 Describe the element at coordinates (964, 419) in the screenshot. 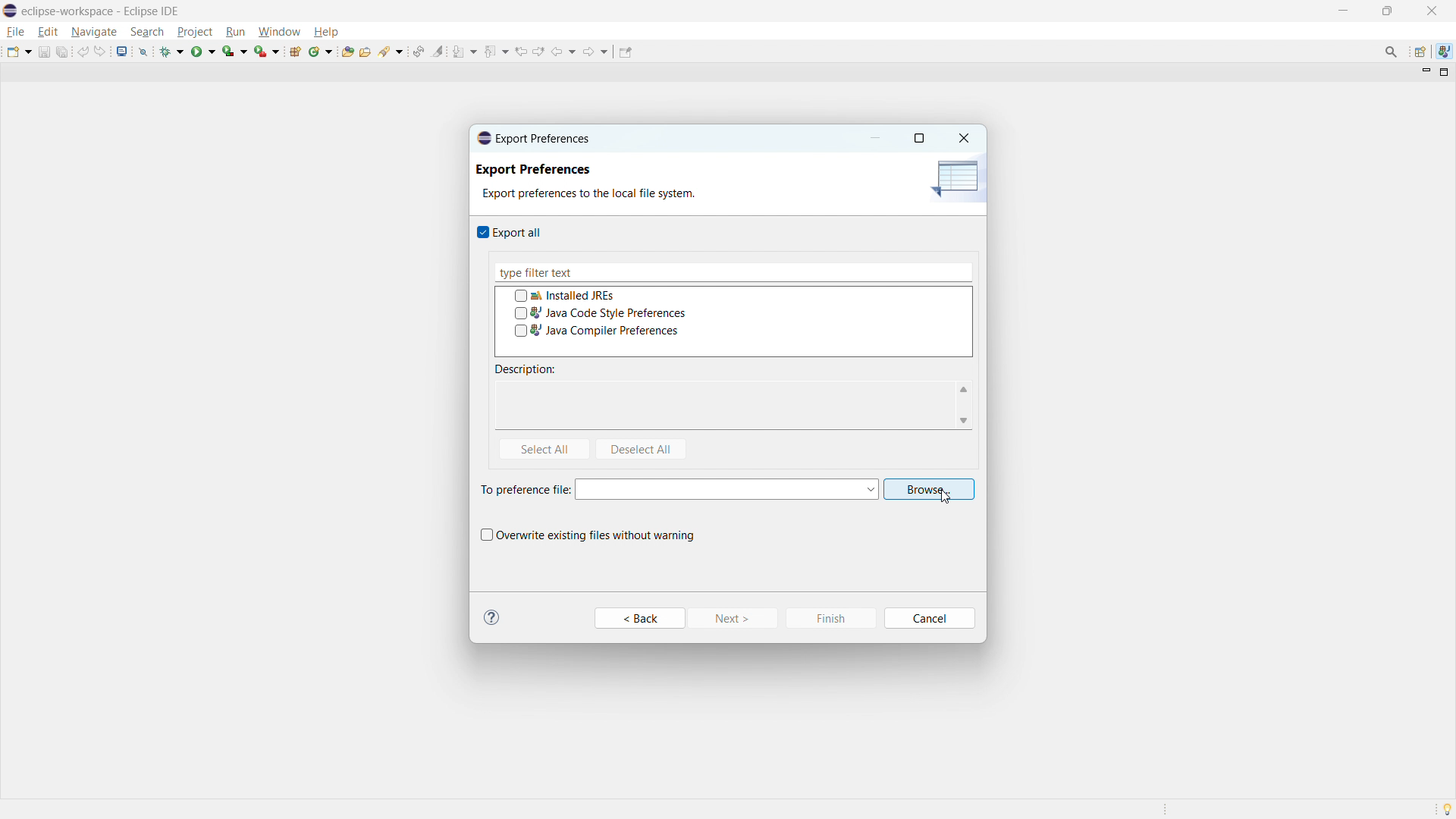

I see `scroll down` at that location.